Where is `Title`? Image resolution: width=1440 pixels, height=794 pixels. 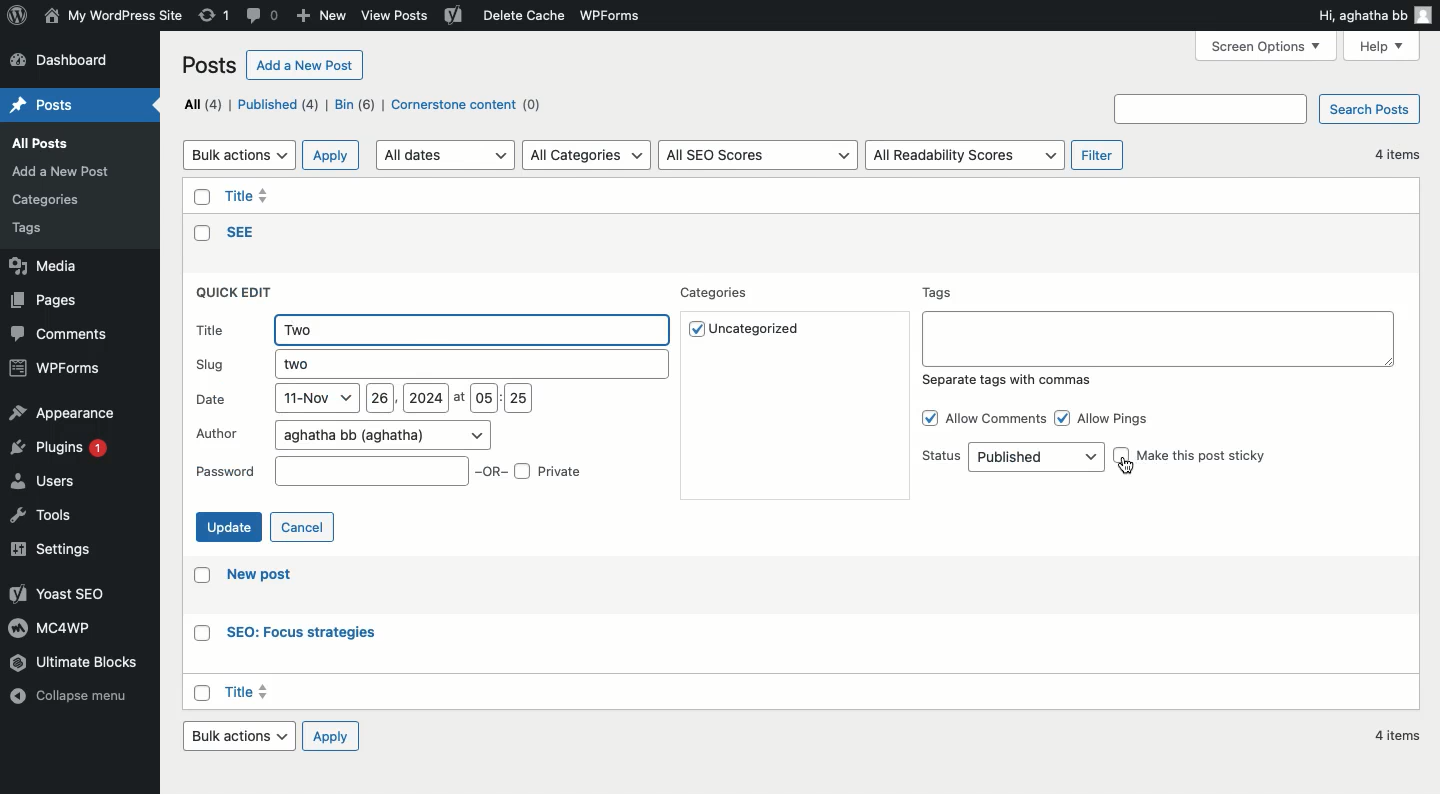
Title is located at coordinates (434, 329).